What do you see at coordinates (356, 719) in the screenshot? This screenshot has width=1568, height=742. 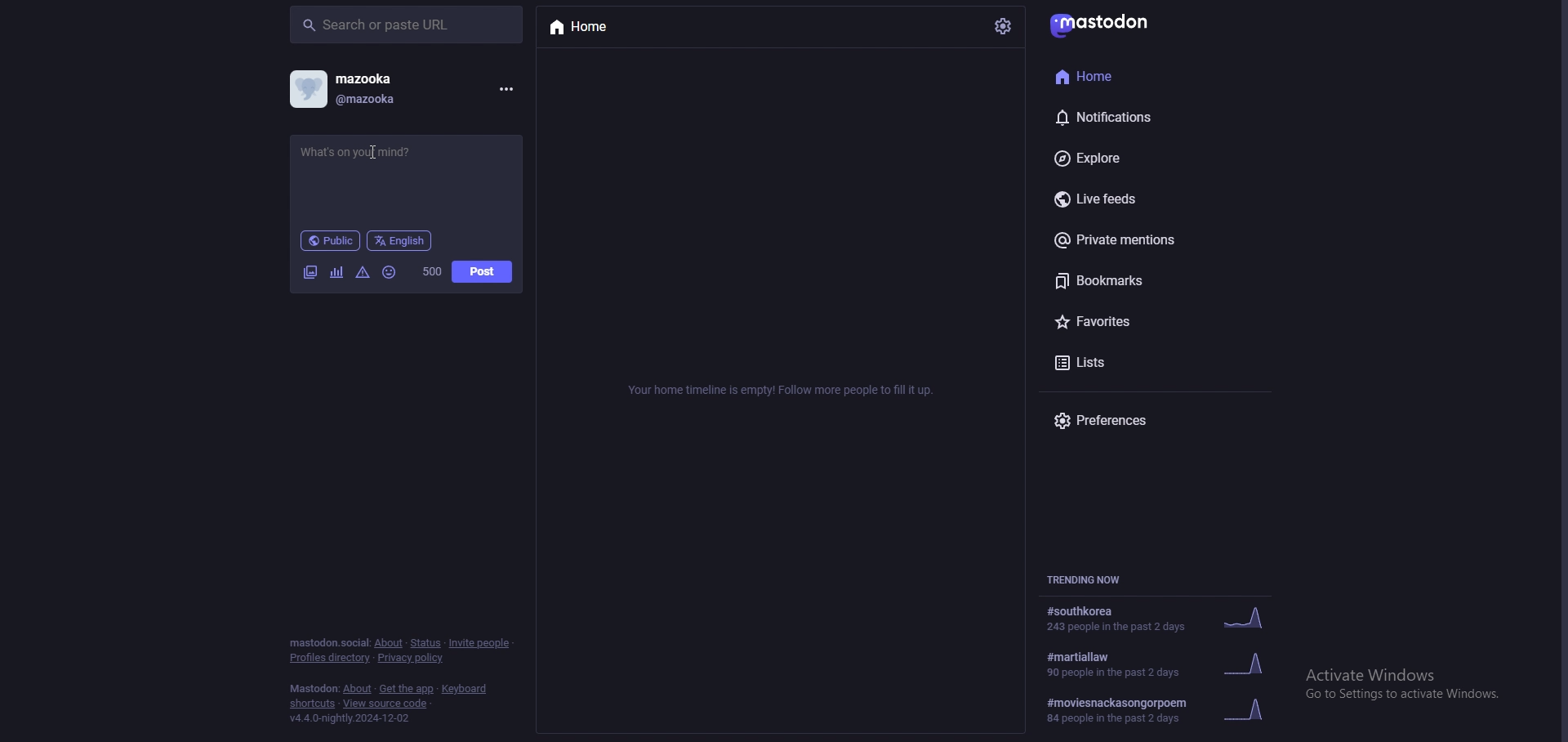 I see `version` at bounding box center [356, 719].